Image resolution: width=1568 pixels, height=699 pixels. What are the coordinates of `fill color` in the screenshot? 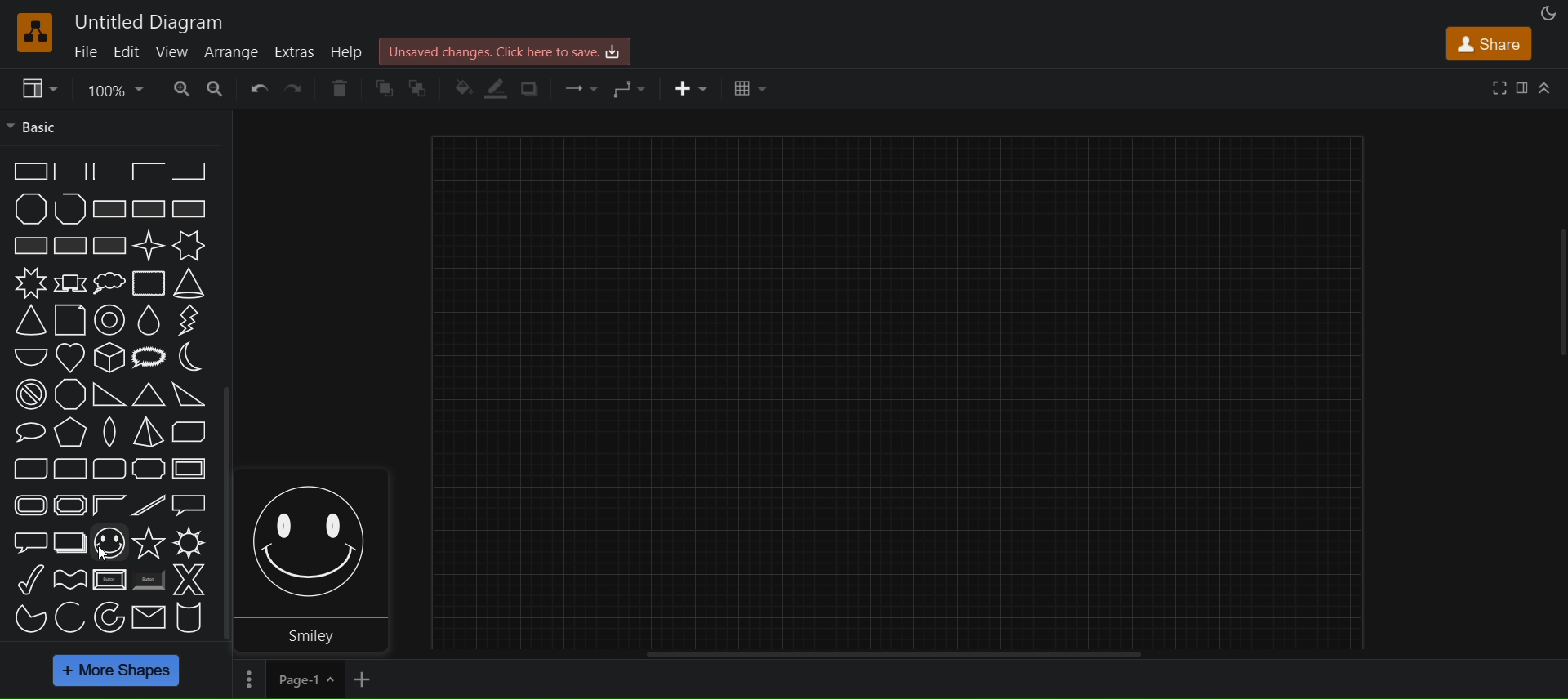 It's located at (464, 89).